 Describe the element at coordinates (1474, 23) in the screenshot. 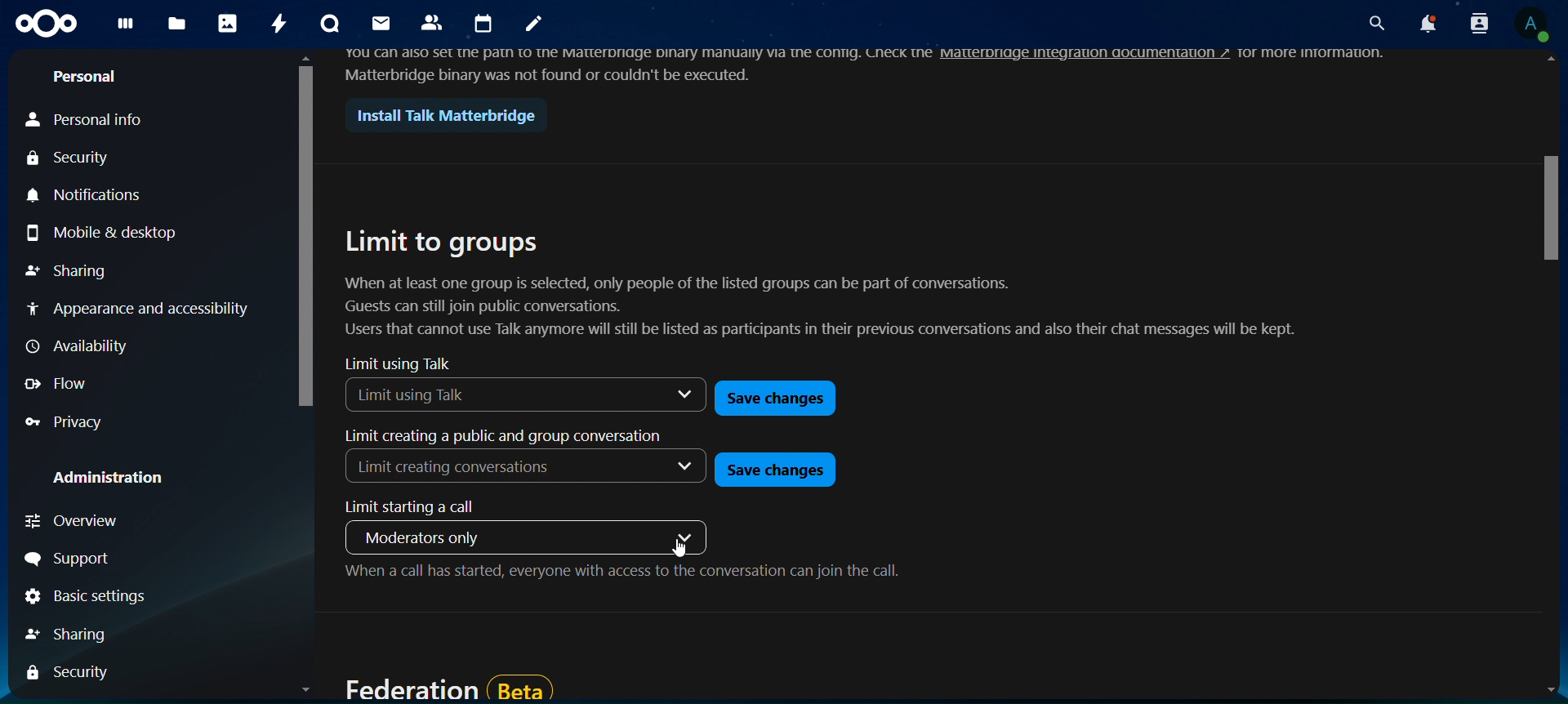

I see `search contacts` at that location.